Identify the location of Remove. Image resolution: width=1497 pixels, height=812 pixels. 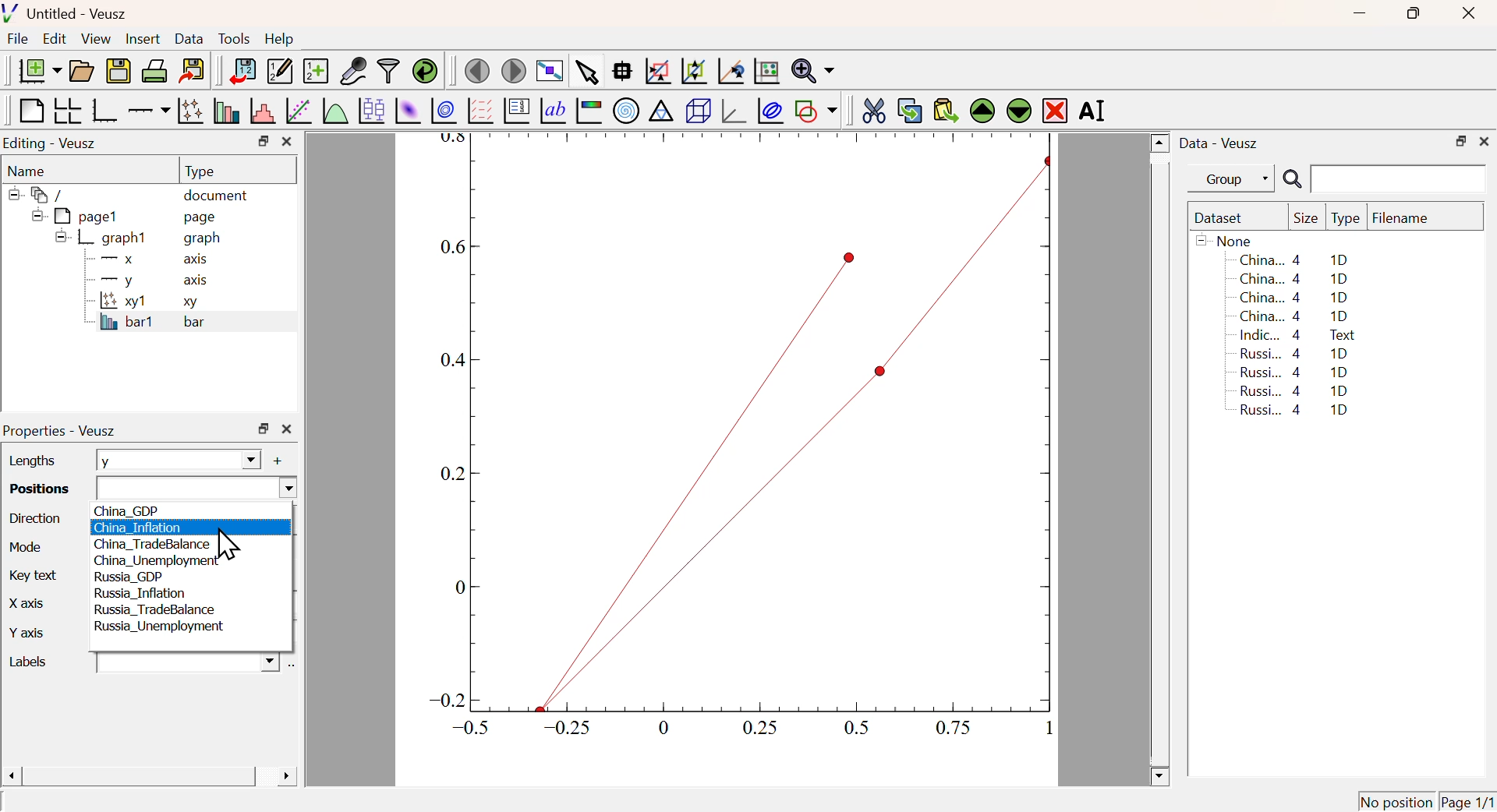
(1056, 111).